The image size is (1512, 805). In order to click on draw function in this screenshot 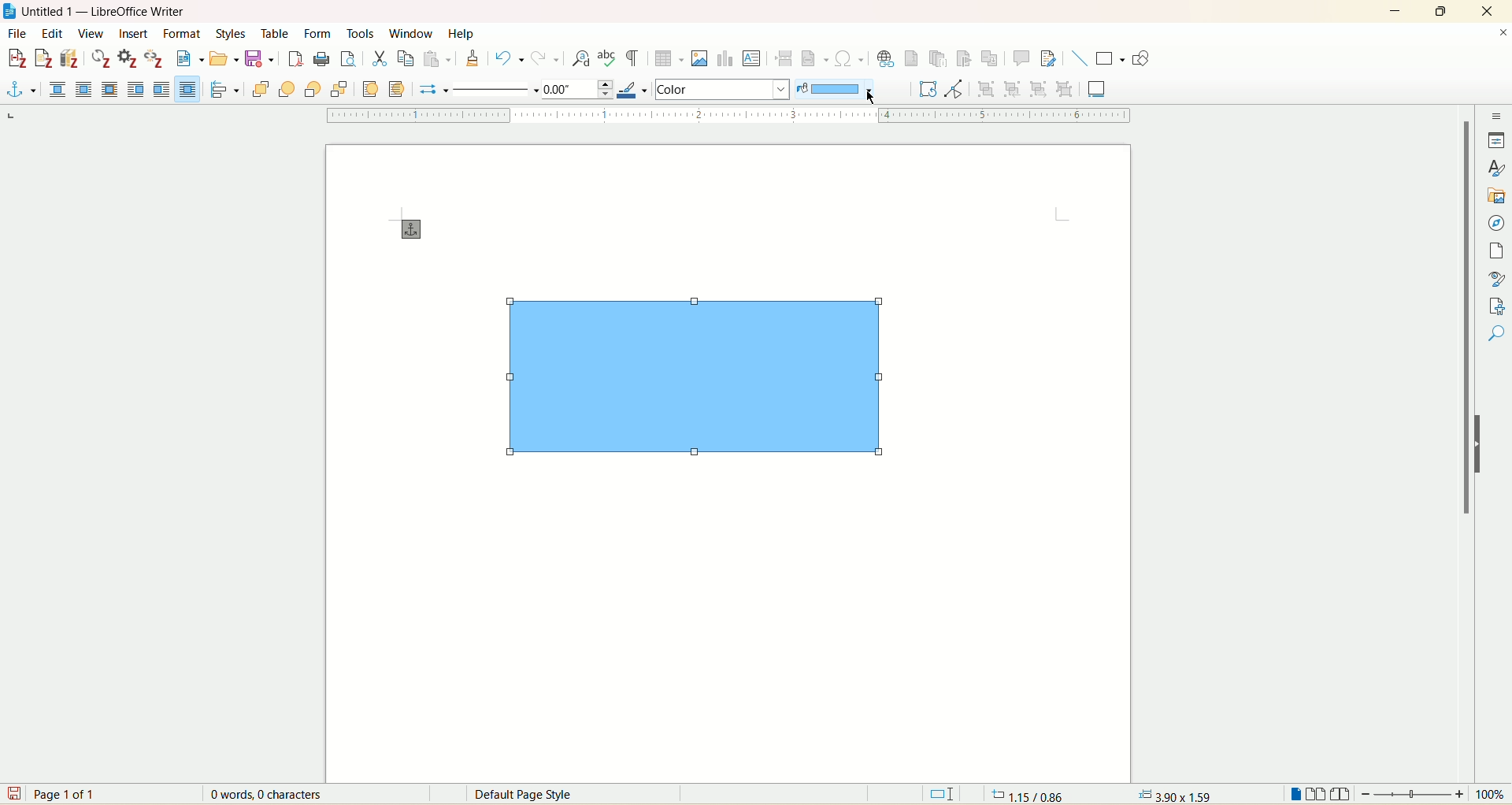, I will do `click(1141, 61)`.